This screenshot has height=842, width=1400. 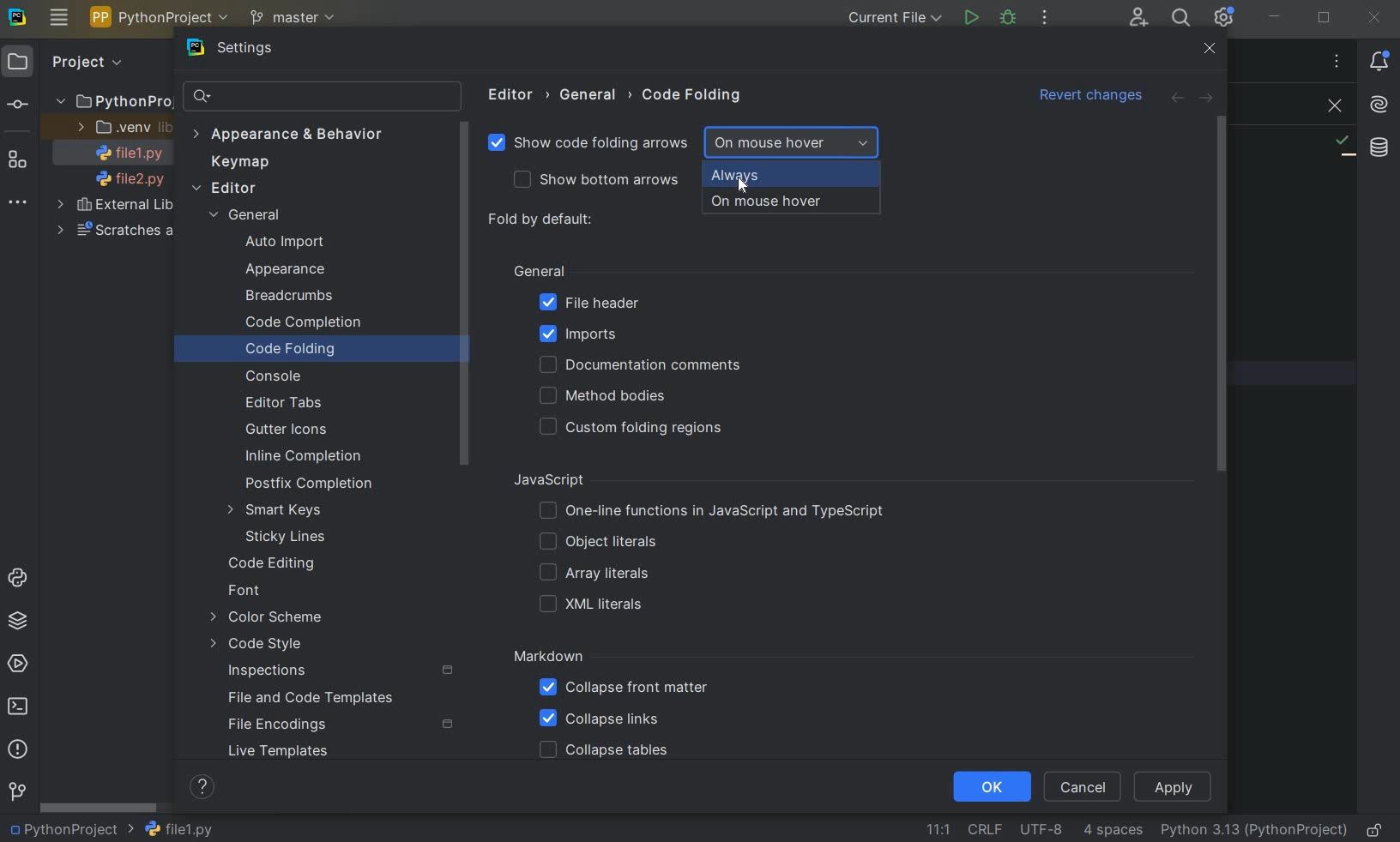 What do you see at coordinates (1226, 19) in the screenshot?
I see `IDE AND PROJECT SETTINGS` at bounding box center [1226, 19].